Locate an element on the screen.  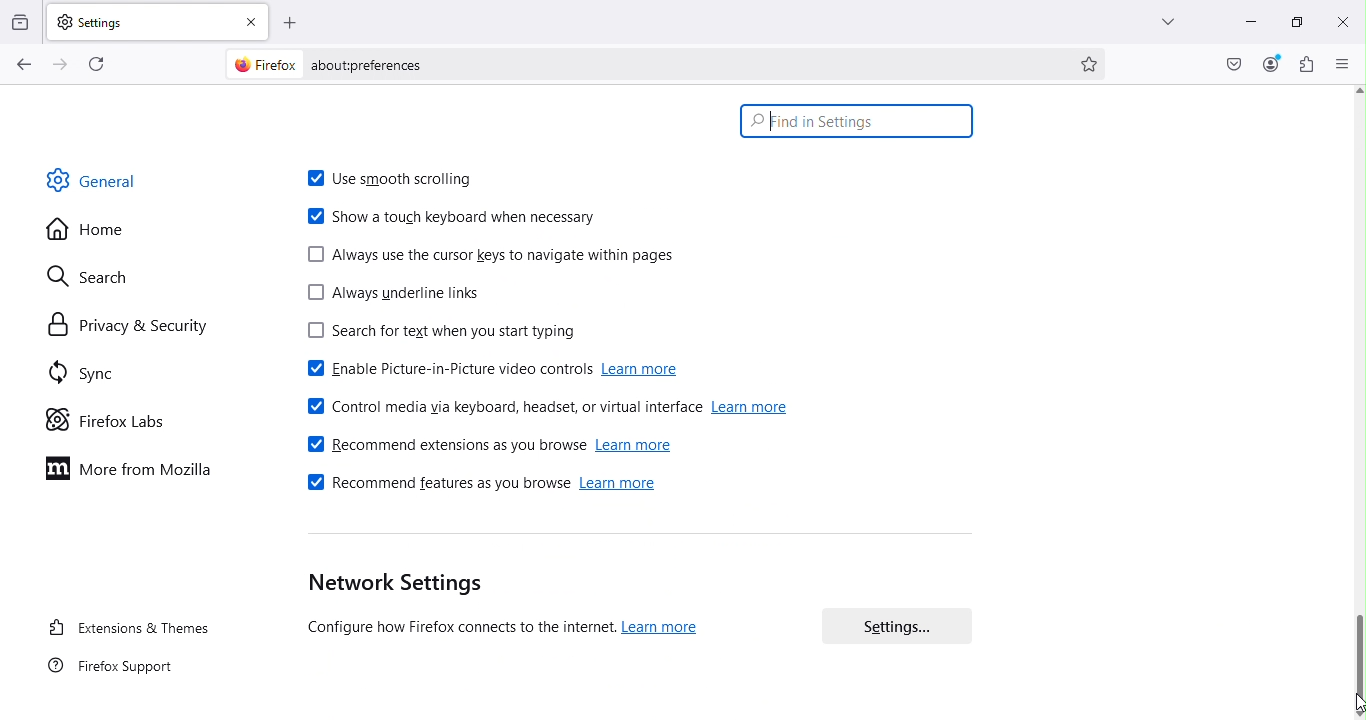
Settings tab is located at coordinates (139, 20).